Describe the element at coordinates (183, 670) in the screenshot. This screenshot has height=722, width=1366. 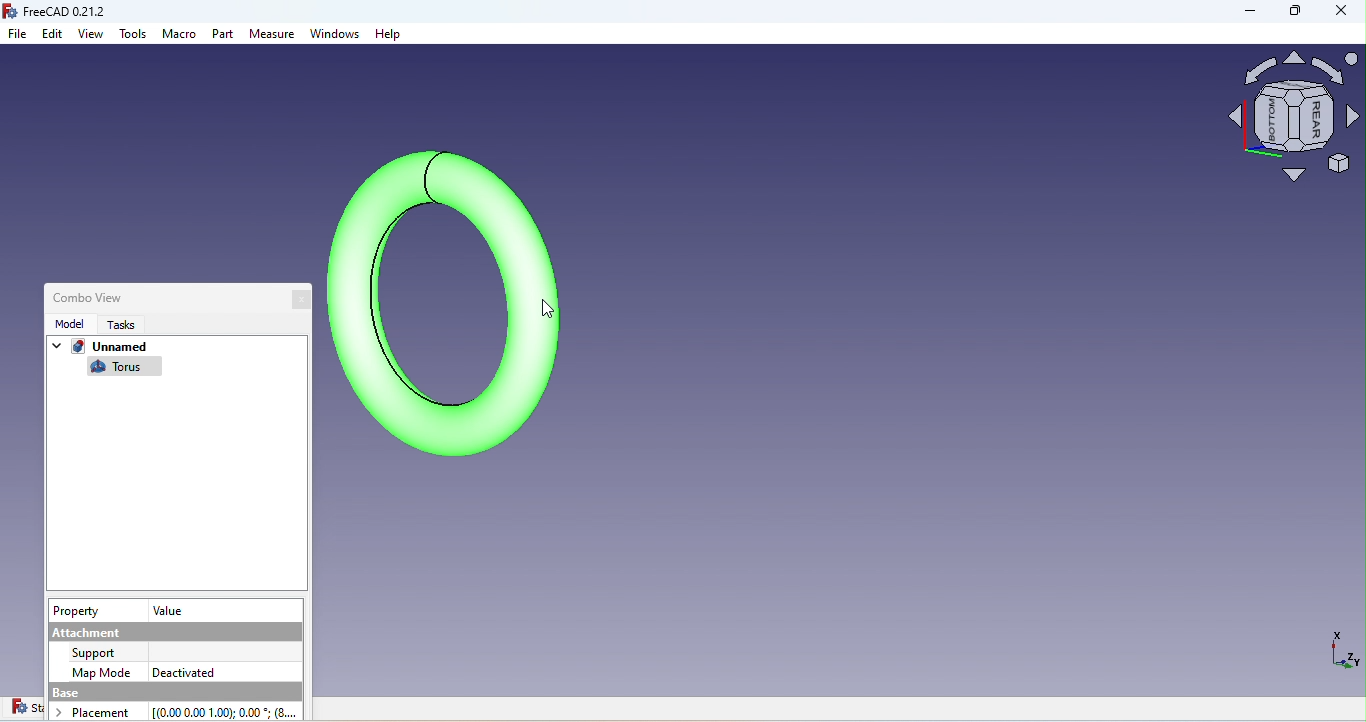
I see `Deactivated` at that location.